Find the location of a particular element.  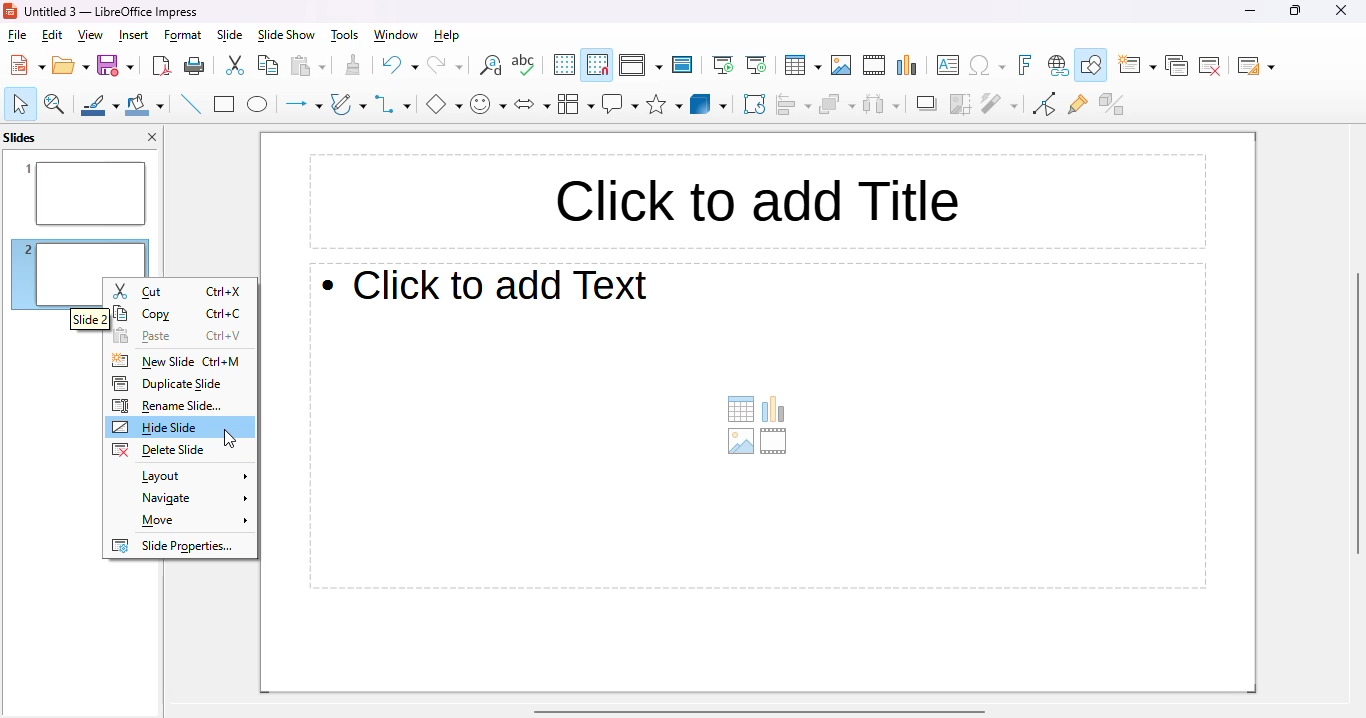

insert chart is located at coordinates (907, 65).